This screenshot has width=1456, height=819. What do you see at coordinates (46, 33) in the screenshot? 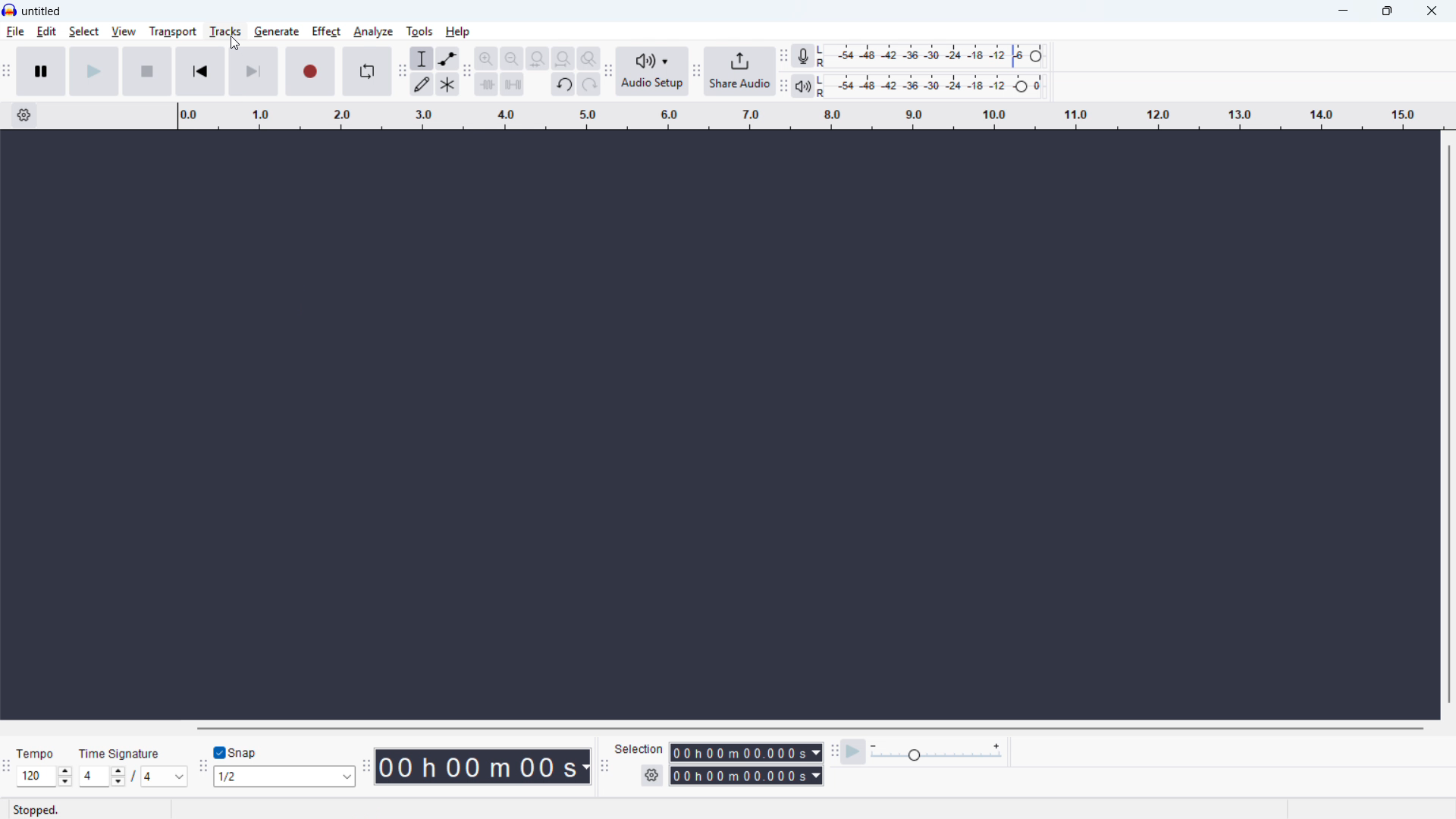
I see `Edit ` at bounding box center [46, 33].